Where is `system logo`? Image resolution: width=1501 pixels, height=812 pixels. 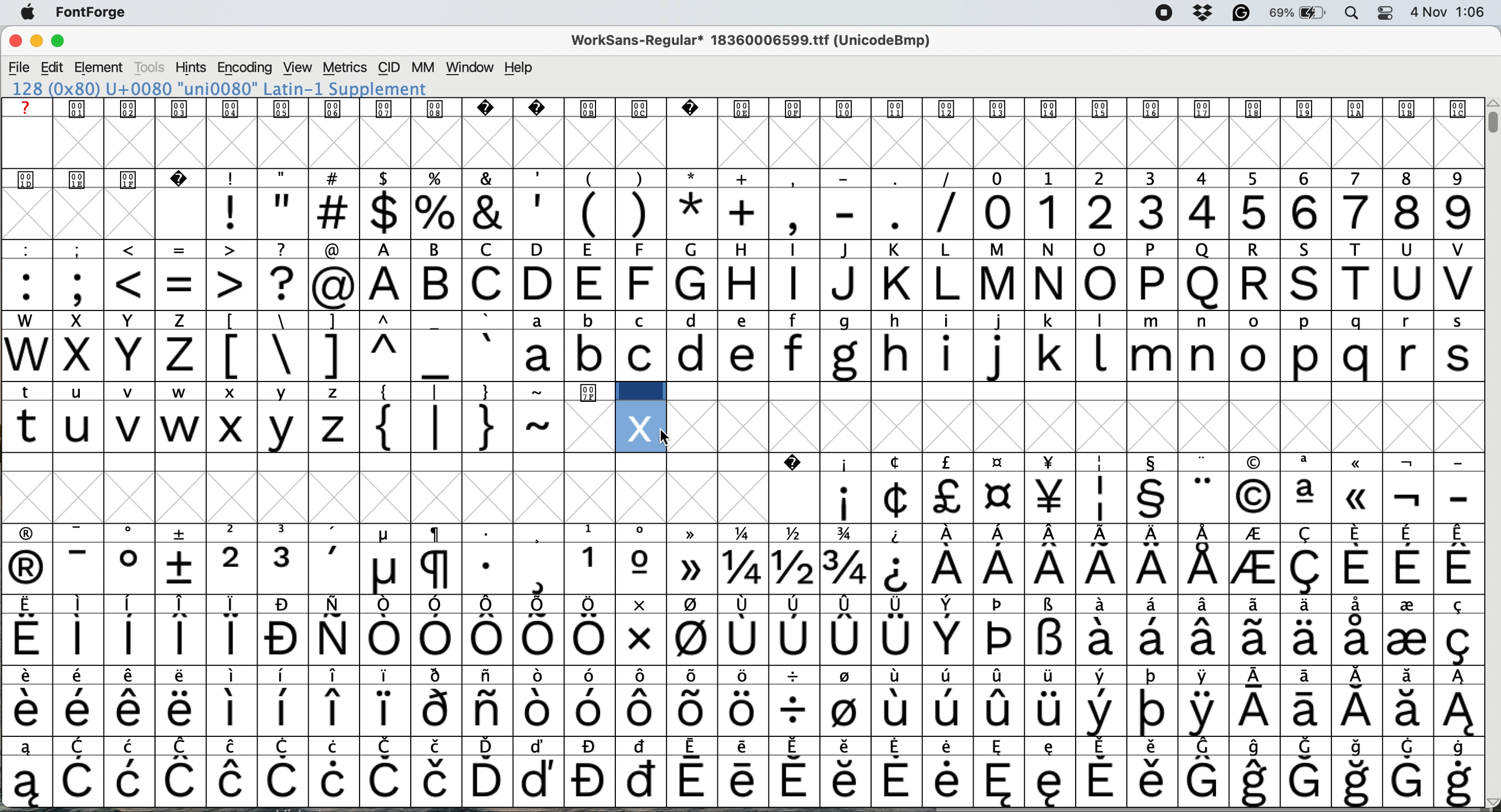 system logo is located at coordinates (33, 13).